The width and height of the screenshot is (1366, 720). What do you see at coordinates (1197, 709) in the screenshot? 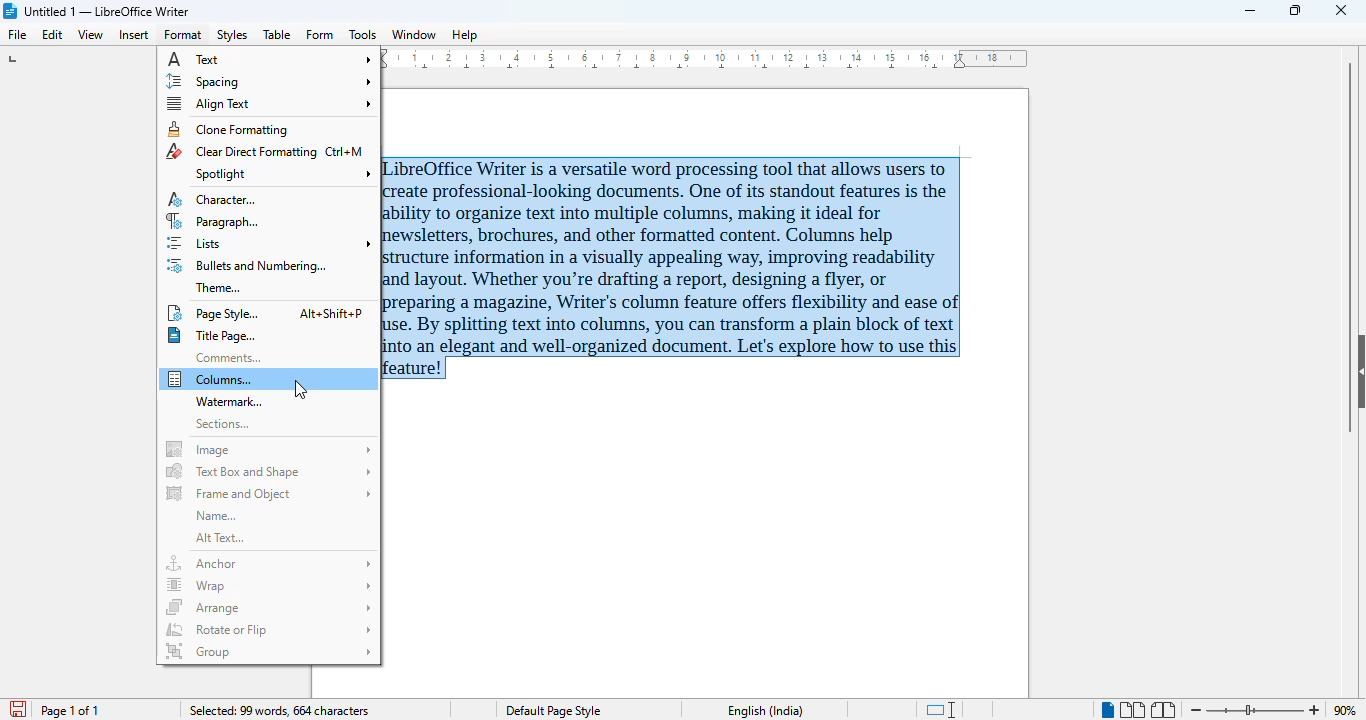
I see `zoom out` at bounding box center [1197, 709].